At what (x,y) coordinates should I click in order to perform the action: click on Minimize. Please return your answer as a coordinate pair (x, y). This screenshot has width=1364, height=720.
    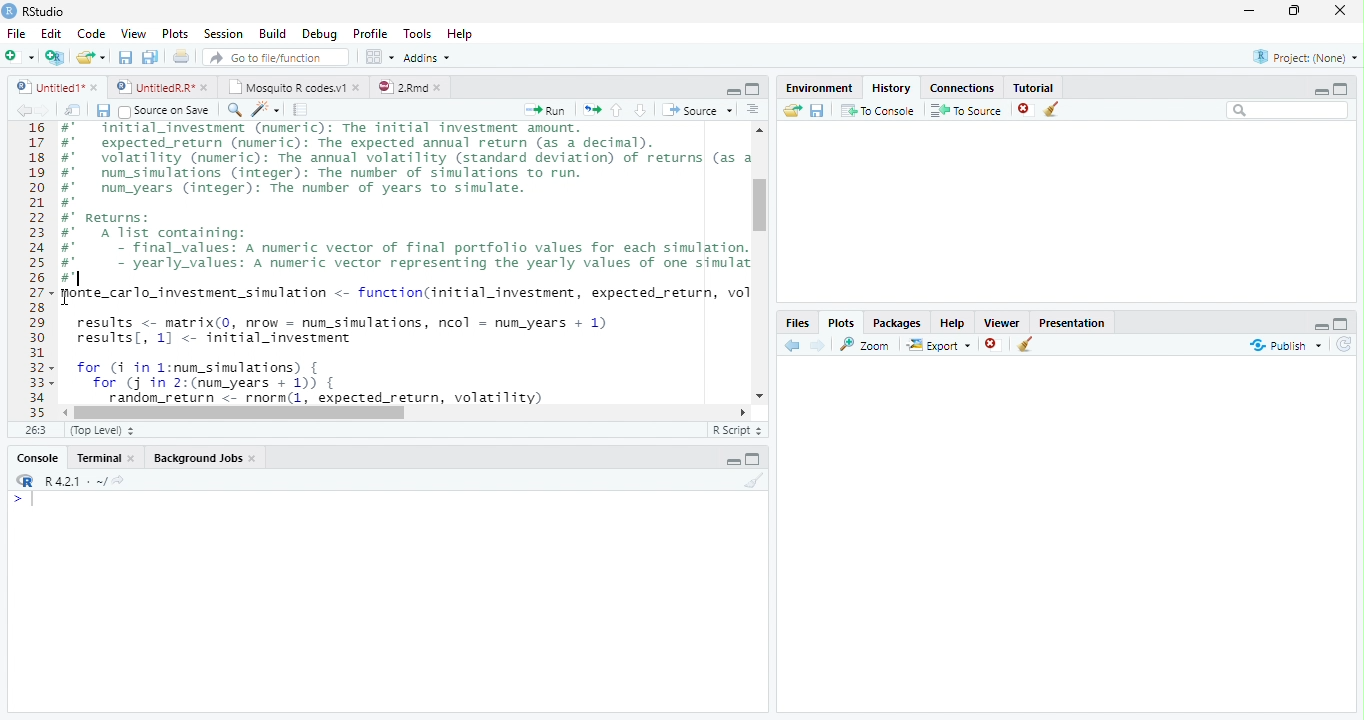
    Looking at the image, I should click on (1253, 12).